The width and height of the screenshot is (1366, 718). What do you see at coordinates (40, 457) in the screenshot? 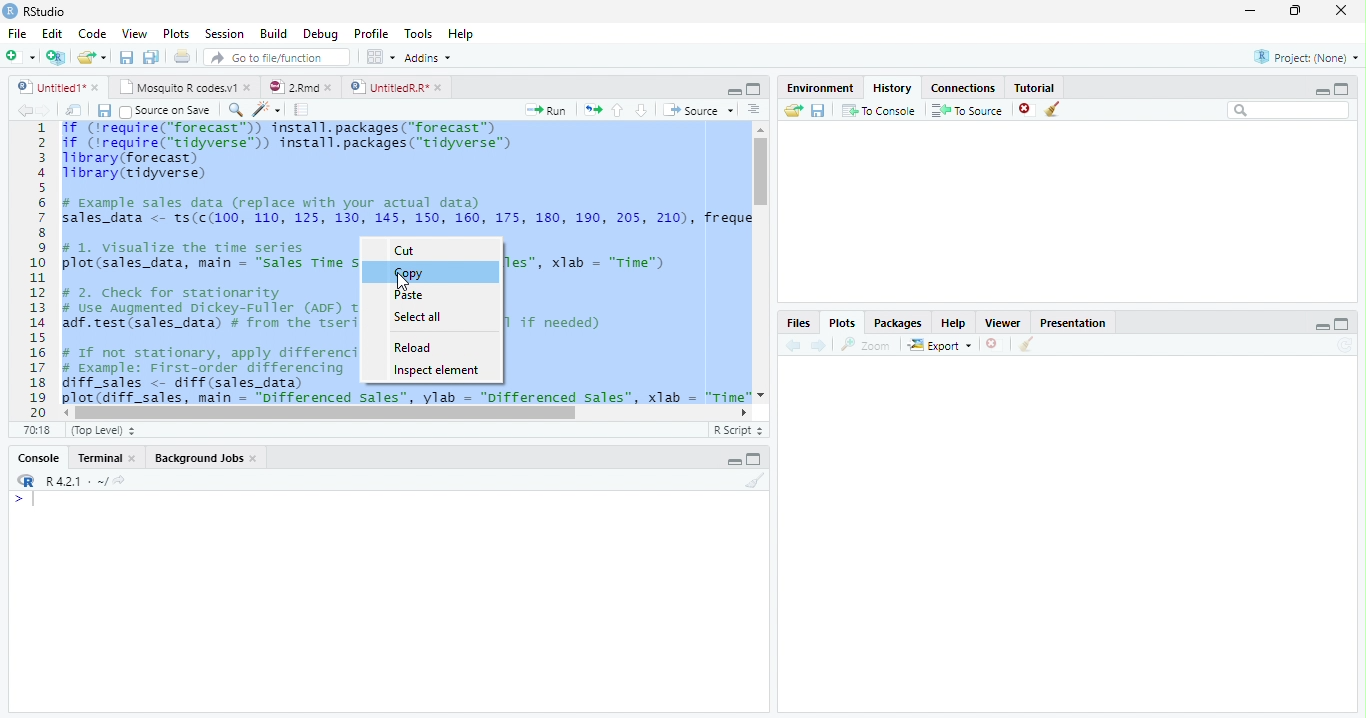
I see `Console` at bounding box center [40, 457].